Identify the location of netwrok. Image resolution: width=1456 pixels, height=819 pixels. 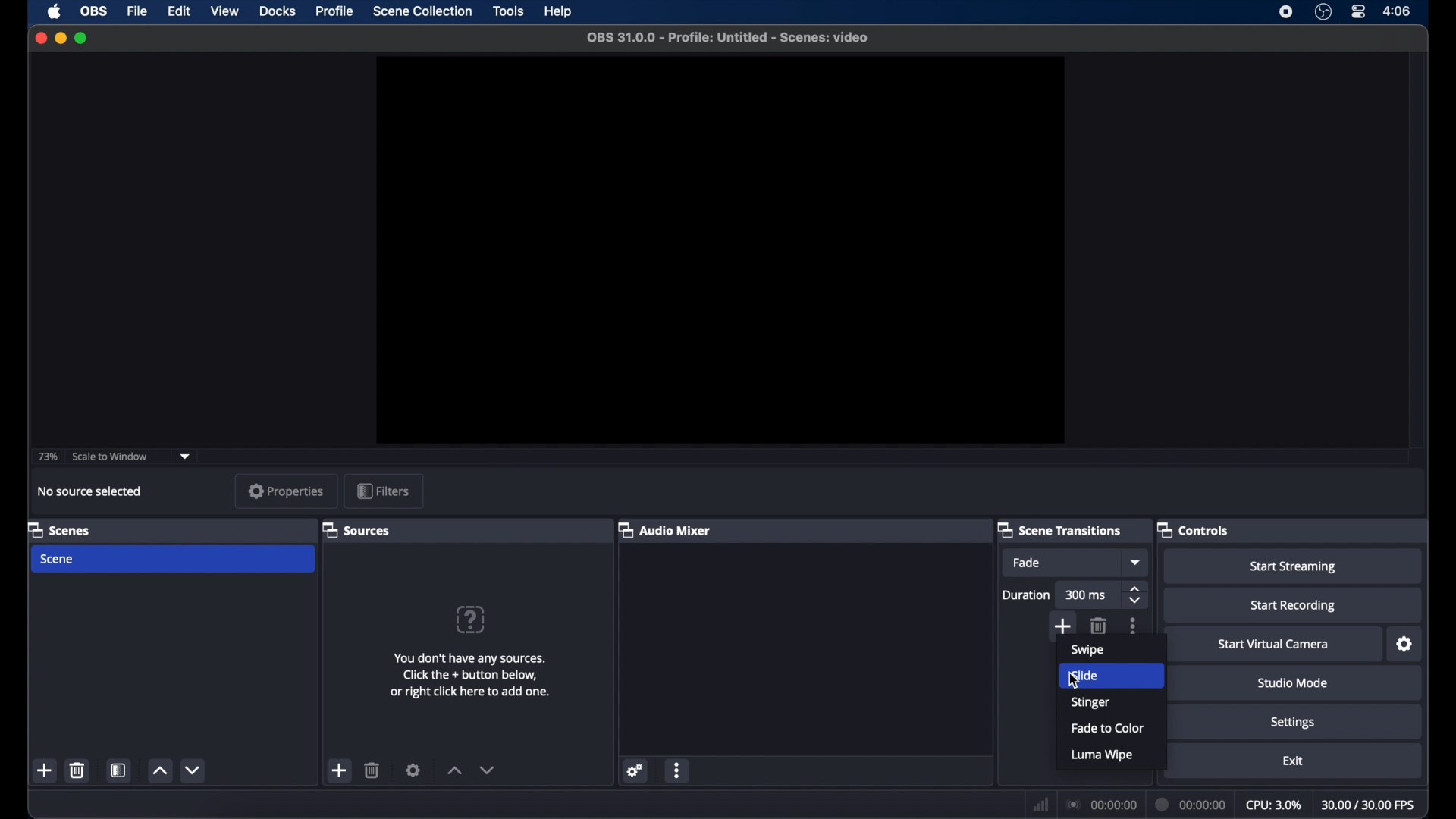
(1039, 803).